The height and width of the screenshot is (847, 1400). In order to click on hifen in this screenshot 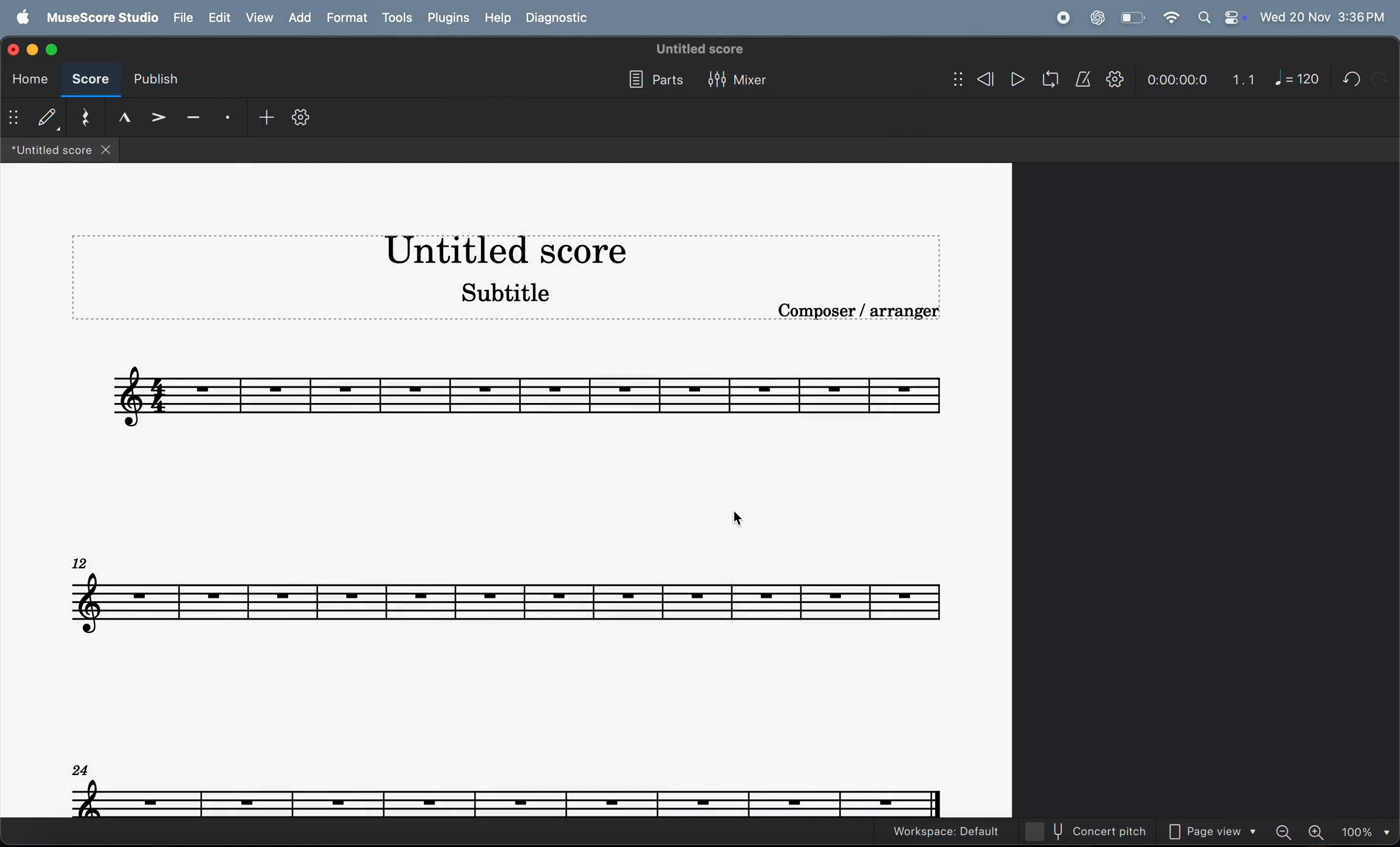, I will do `click(194, 119)`.